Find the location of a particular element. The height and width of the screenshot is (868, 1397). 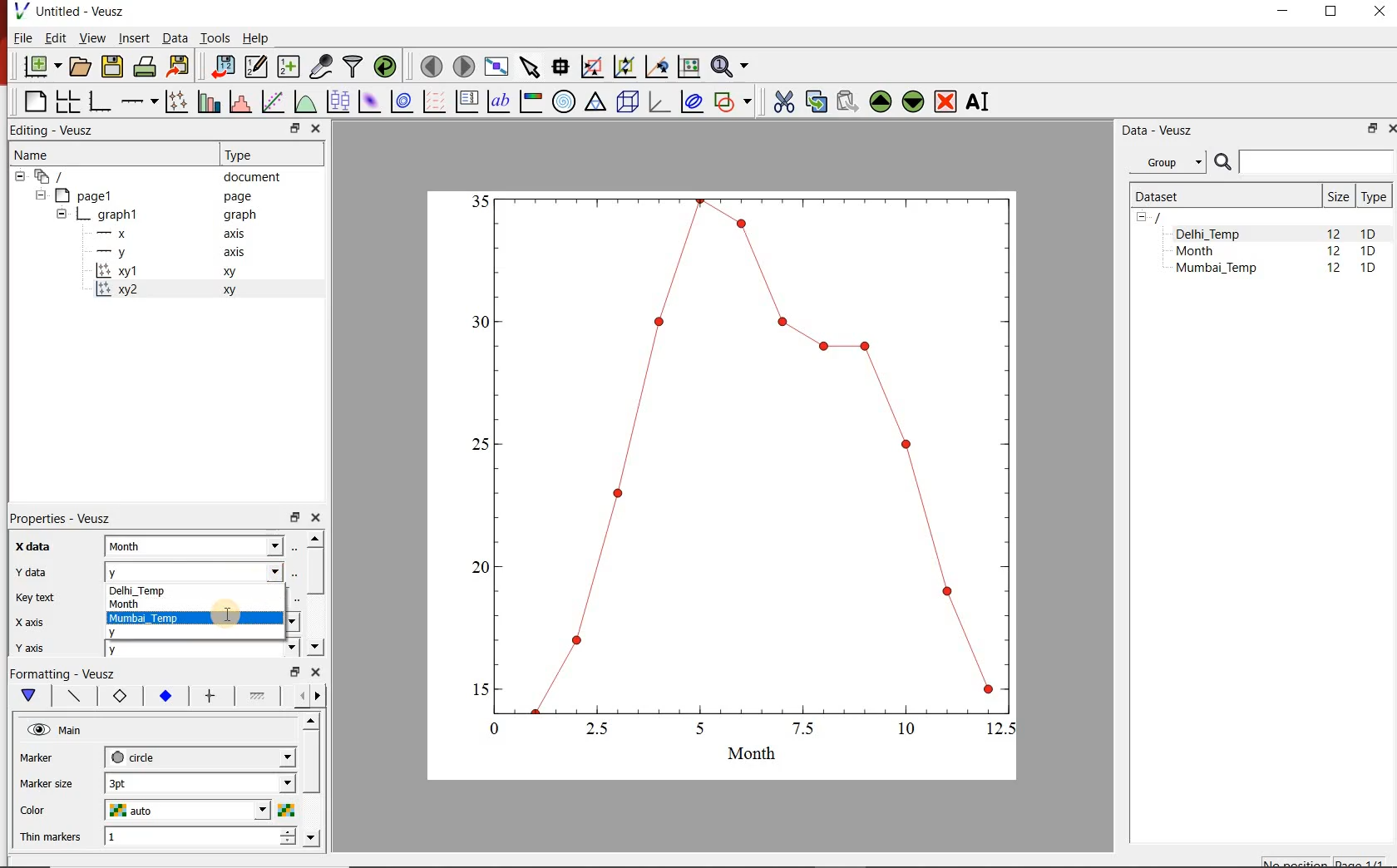

circle is located at coordinates (200, 757).